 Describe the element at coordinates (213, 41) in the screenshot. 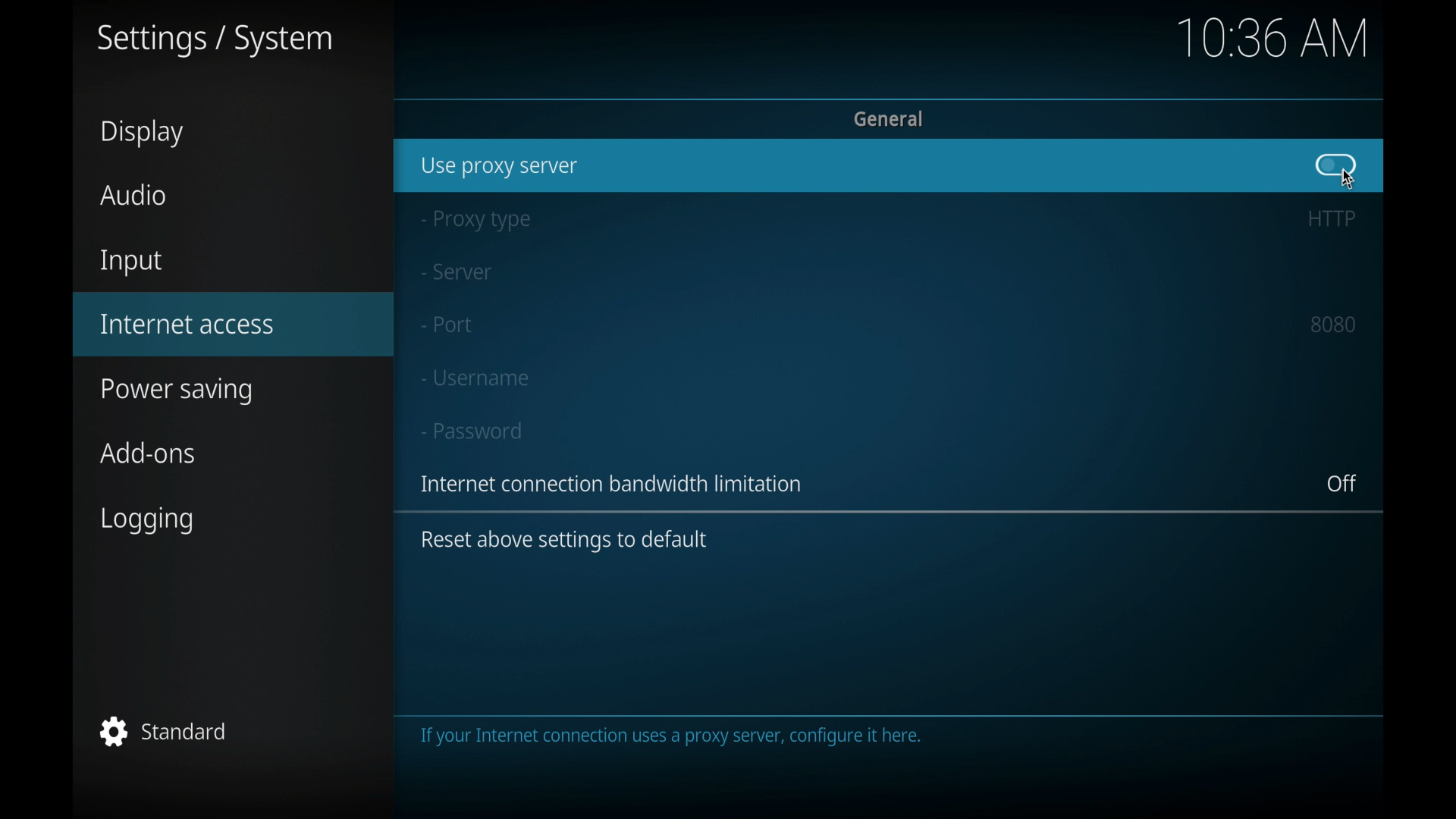

I see `settings/system` at that location.